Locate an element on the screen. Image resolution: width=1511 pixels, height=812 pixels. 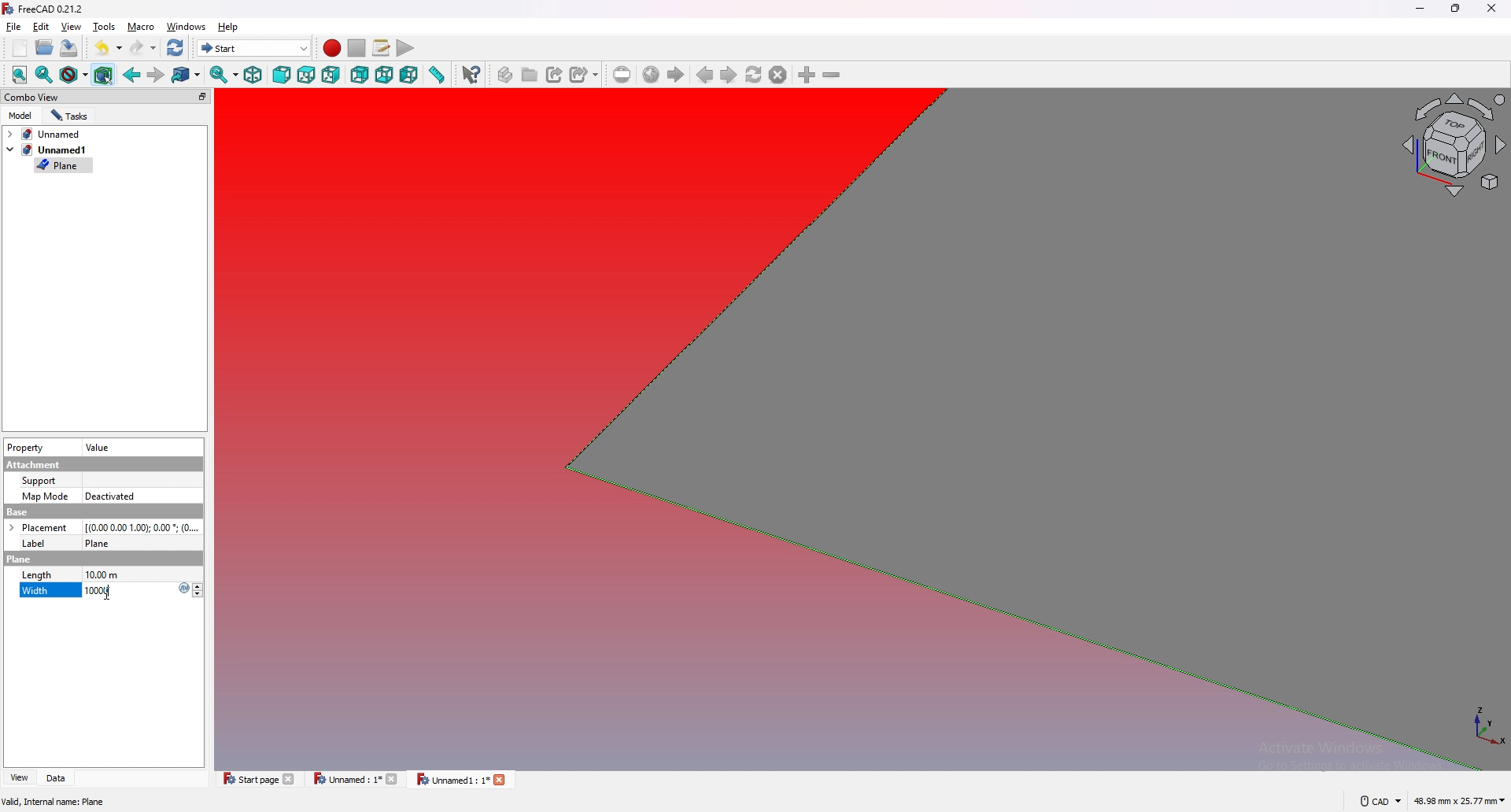
go to linked object is located at coordinates (187, 76).